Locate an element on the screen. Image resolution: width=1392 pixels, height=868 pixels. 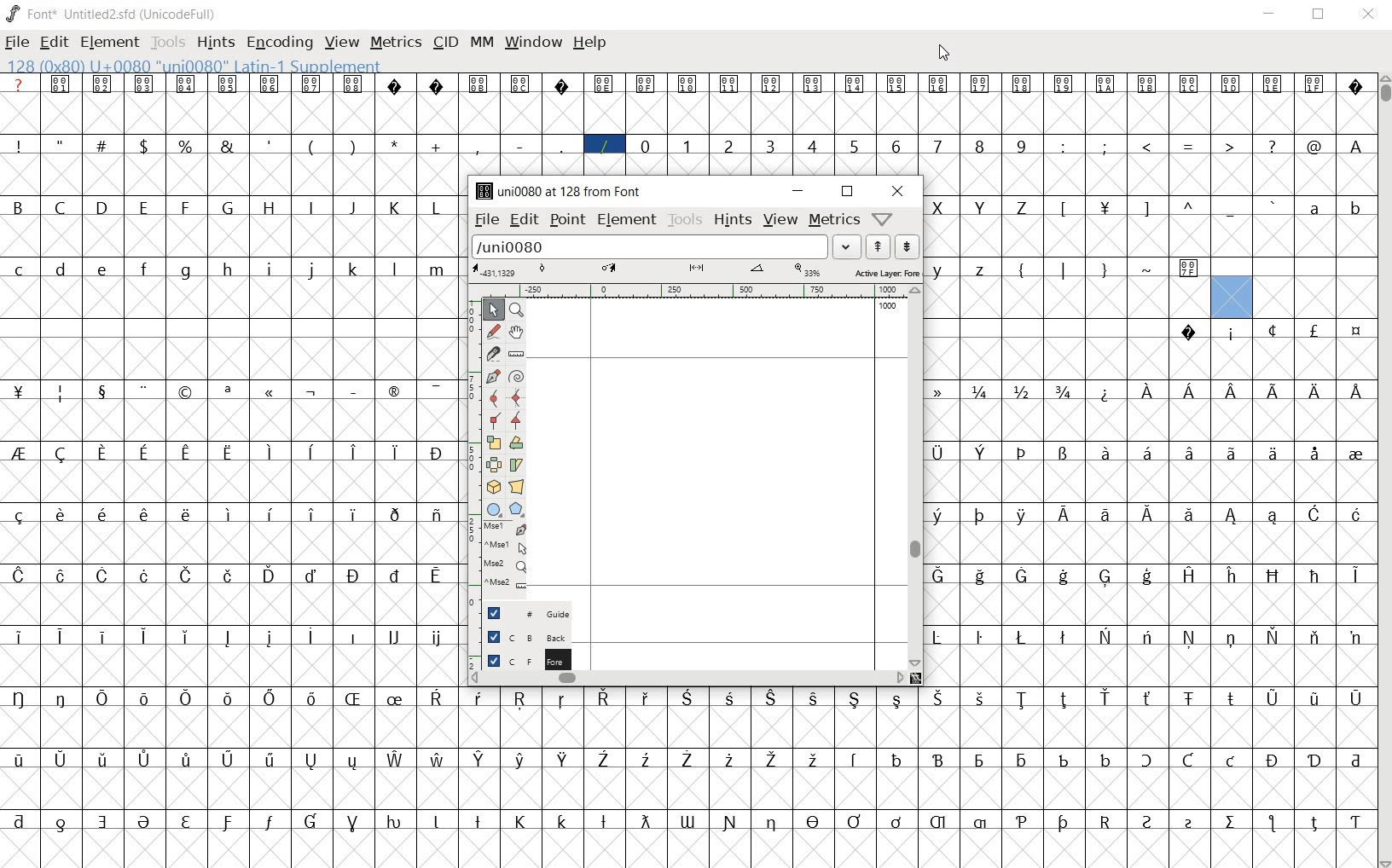
glyph is located at coordinates (1023, 761).